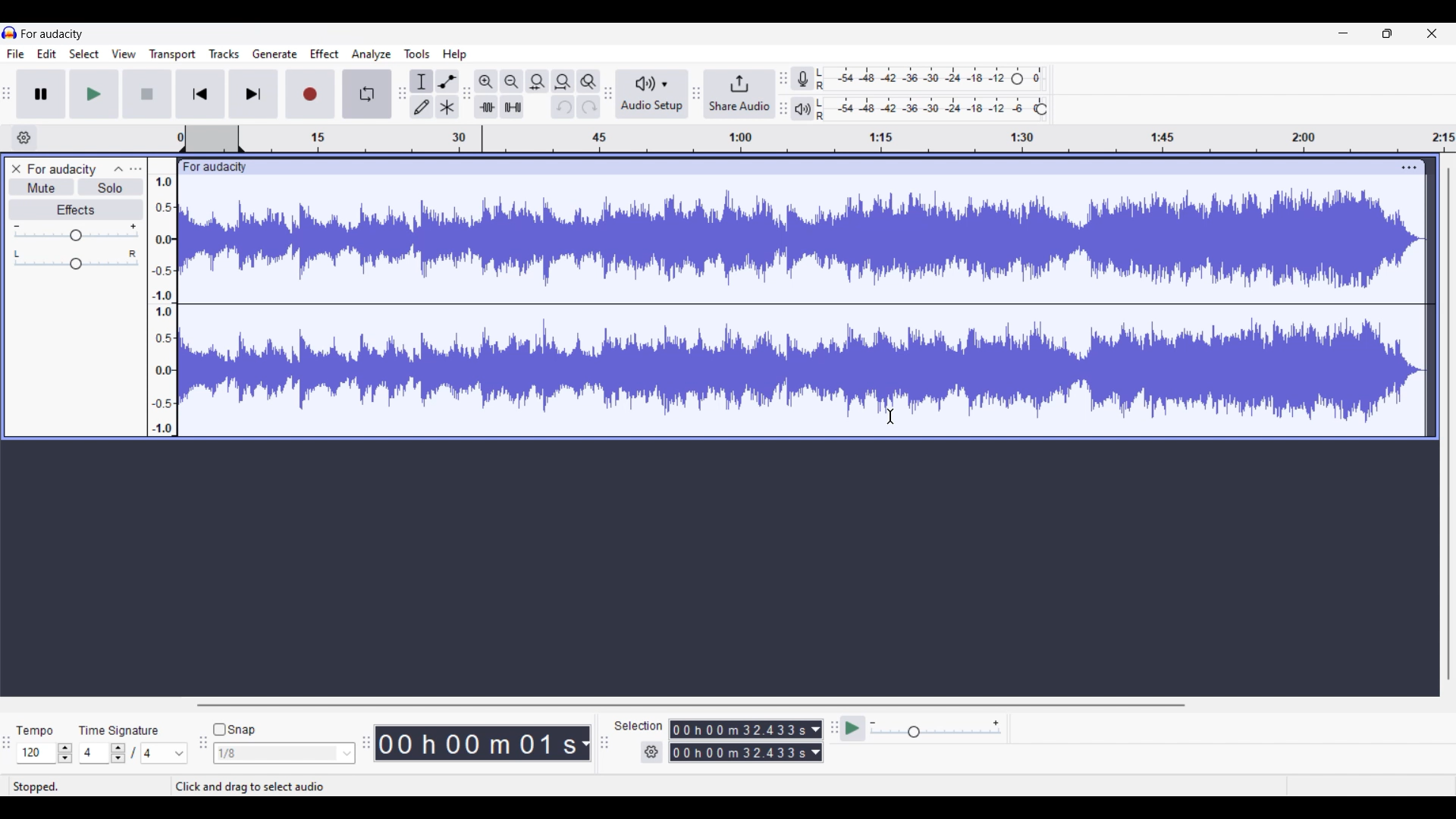 The image size is (1456, 819). What do you see at coordinates (61, 170) in the screenshot?
I see `Project name` at bounding box center [61, 170].